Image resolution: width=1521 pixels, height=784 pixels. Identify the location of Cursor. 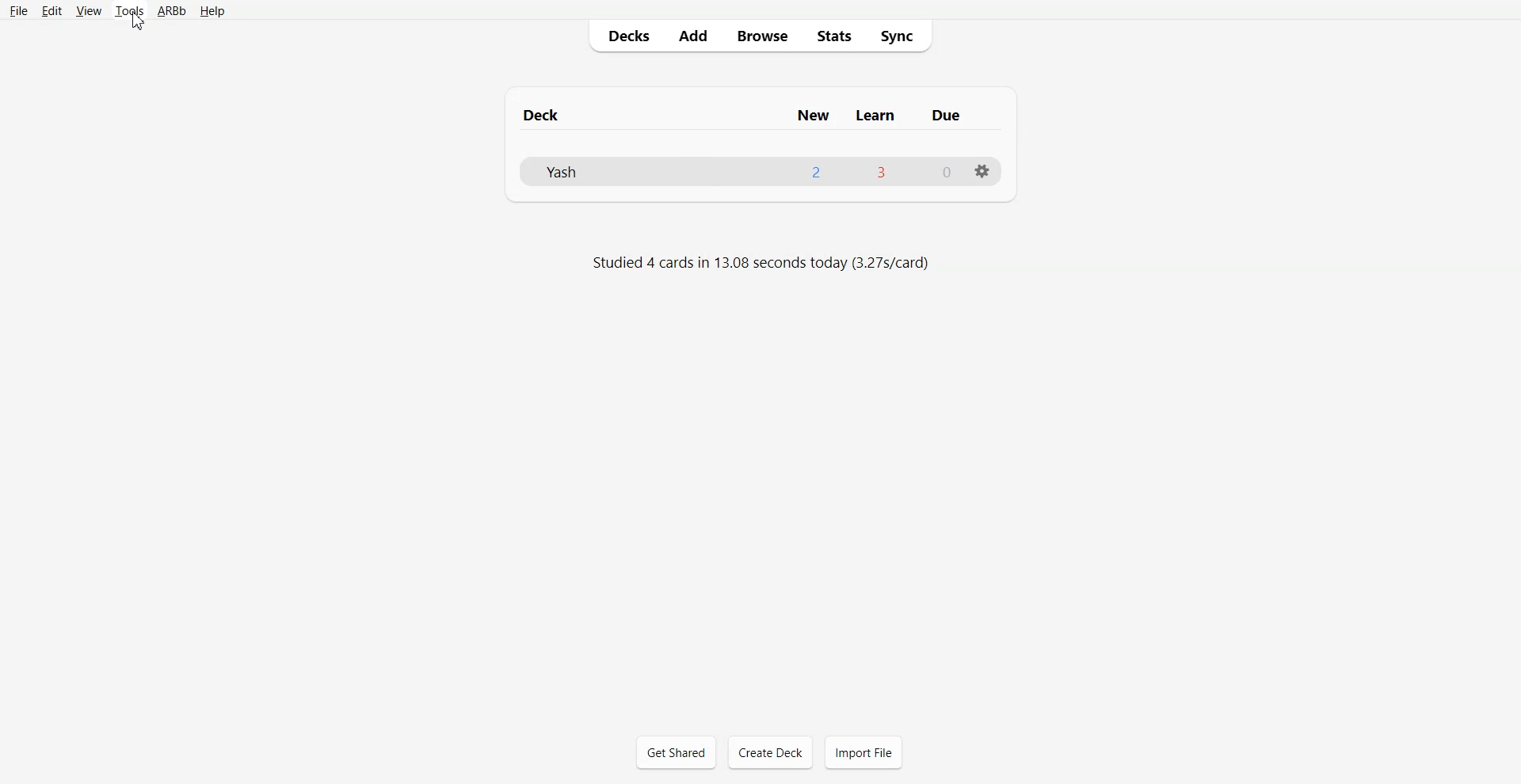
(135, 21).